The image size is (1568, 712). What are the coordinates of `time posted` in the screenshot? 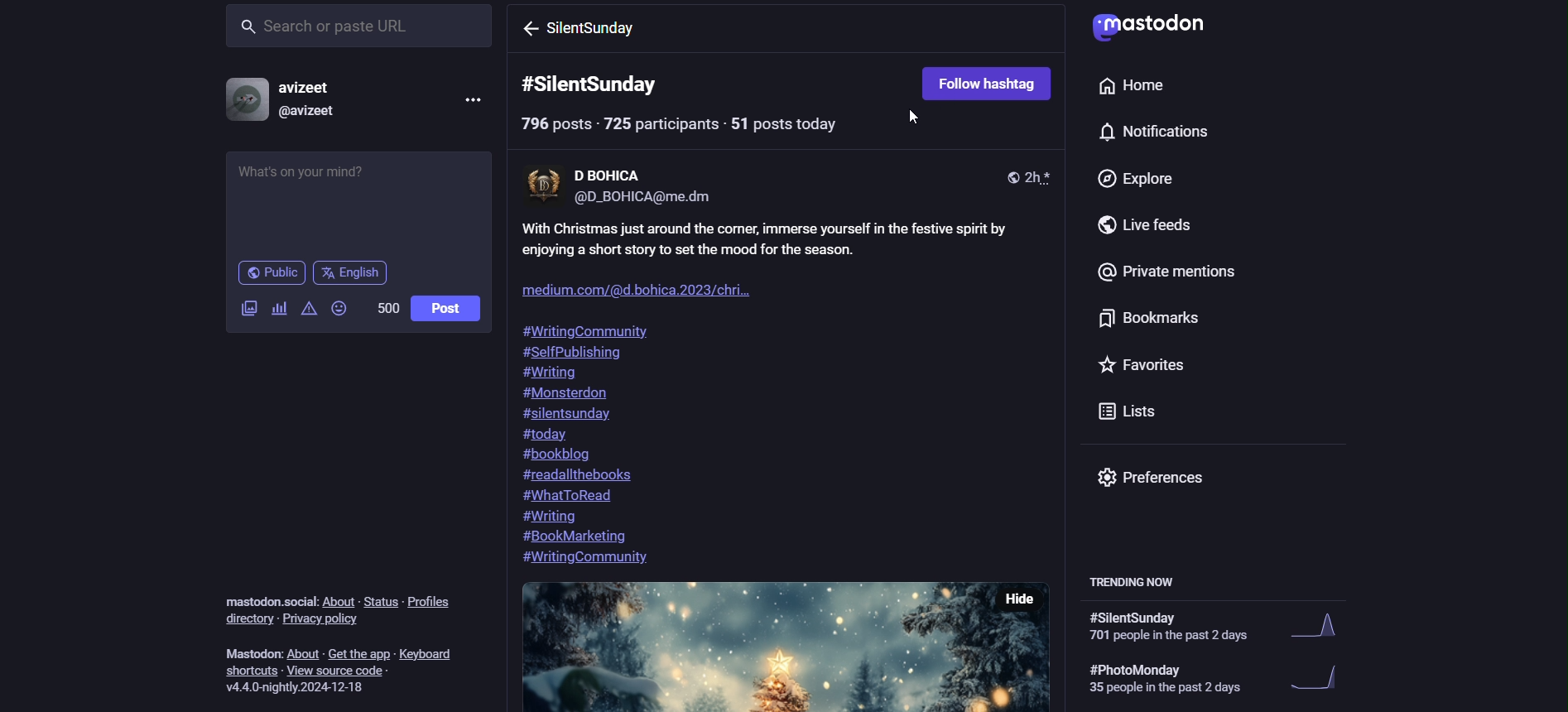 It's located at (1040, 176).